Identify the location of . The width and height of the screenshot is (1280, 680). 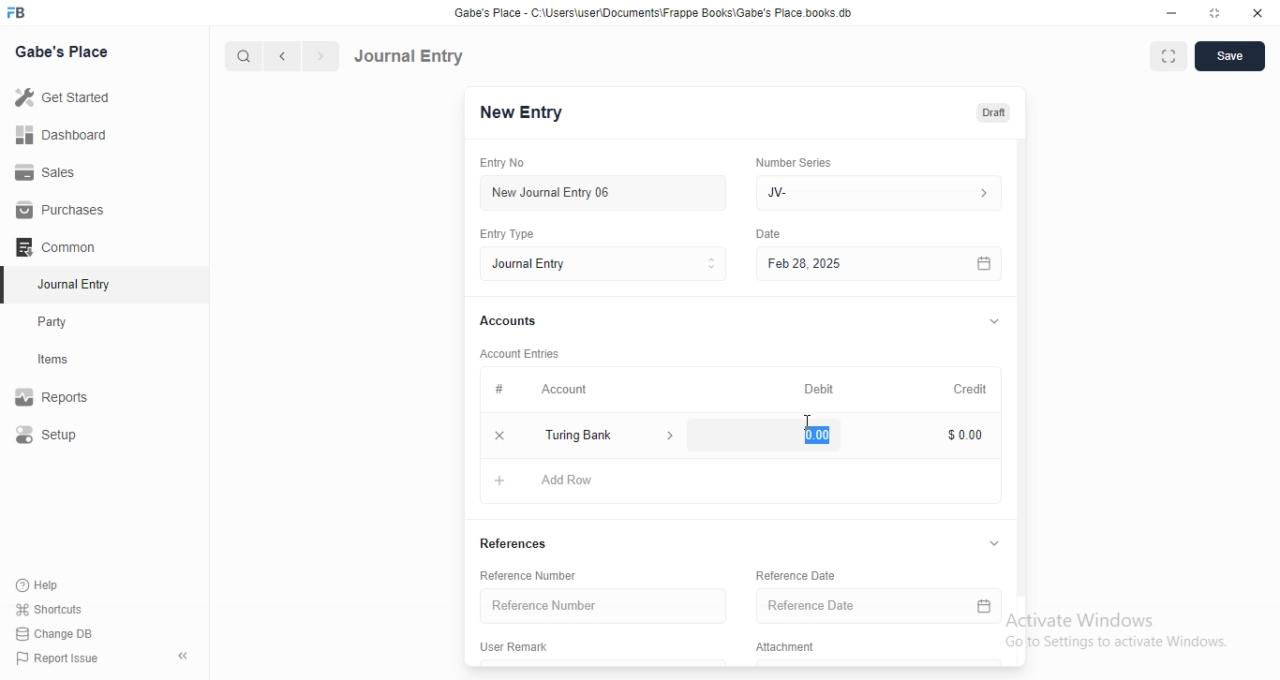
(771, 236).